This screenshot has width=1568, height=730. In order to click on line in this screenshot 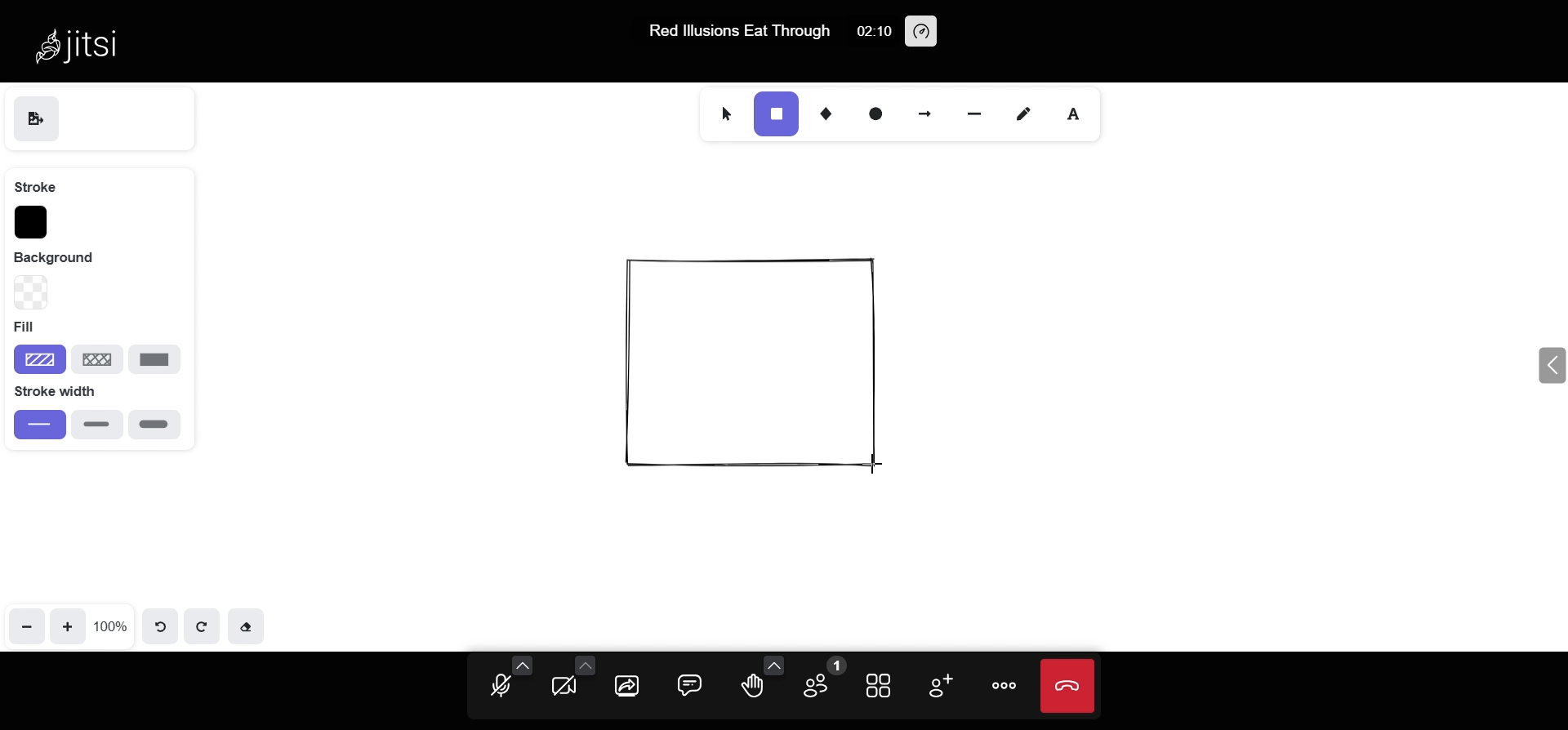, I will do `click(974, 110)`.